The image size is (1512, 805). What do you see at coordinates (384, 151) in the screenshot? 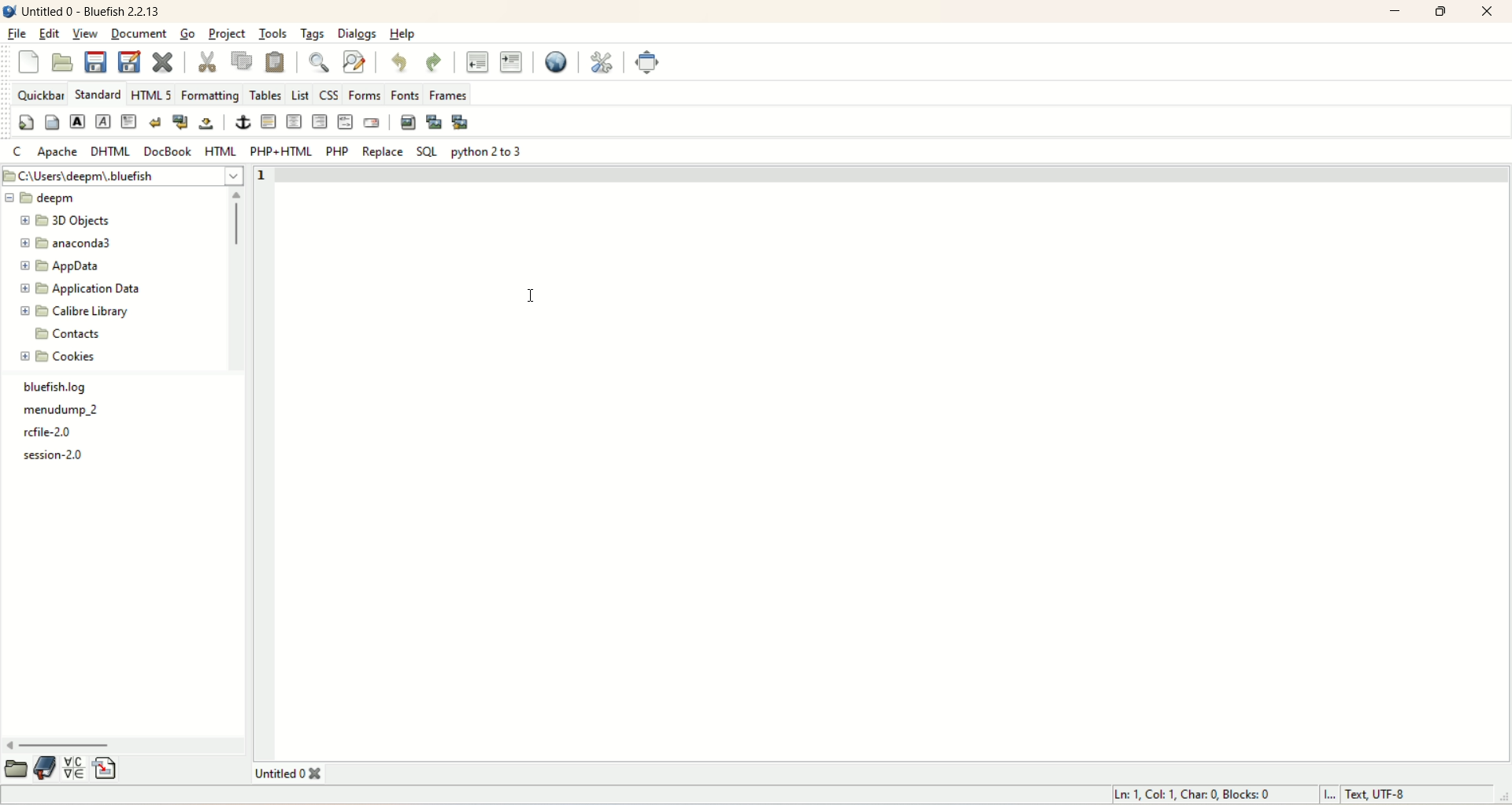
I see `replace` at bounding box center [384, 151].